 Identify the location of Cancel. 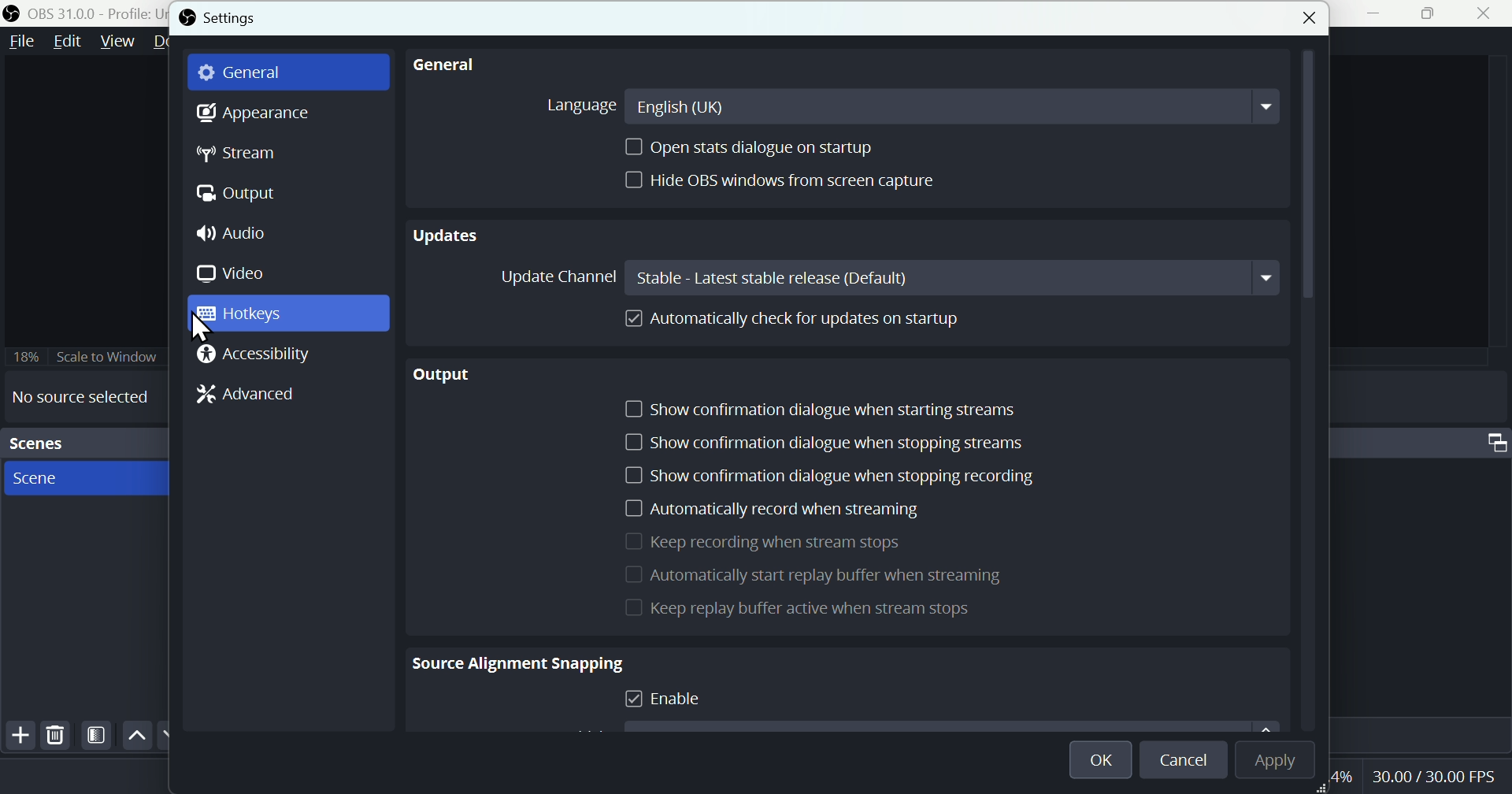
(1191, 759).